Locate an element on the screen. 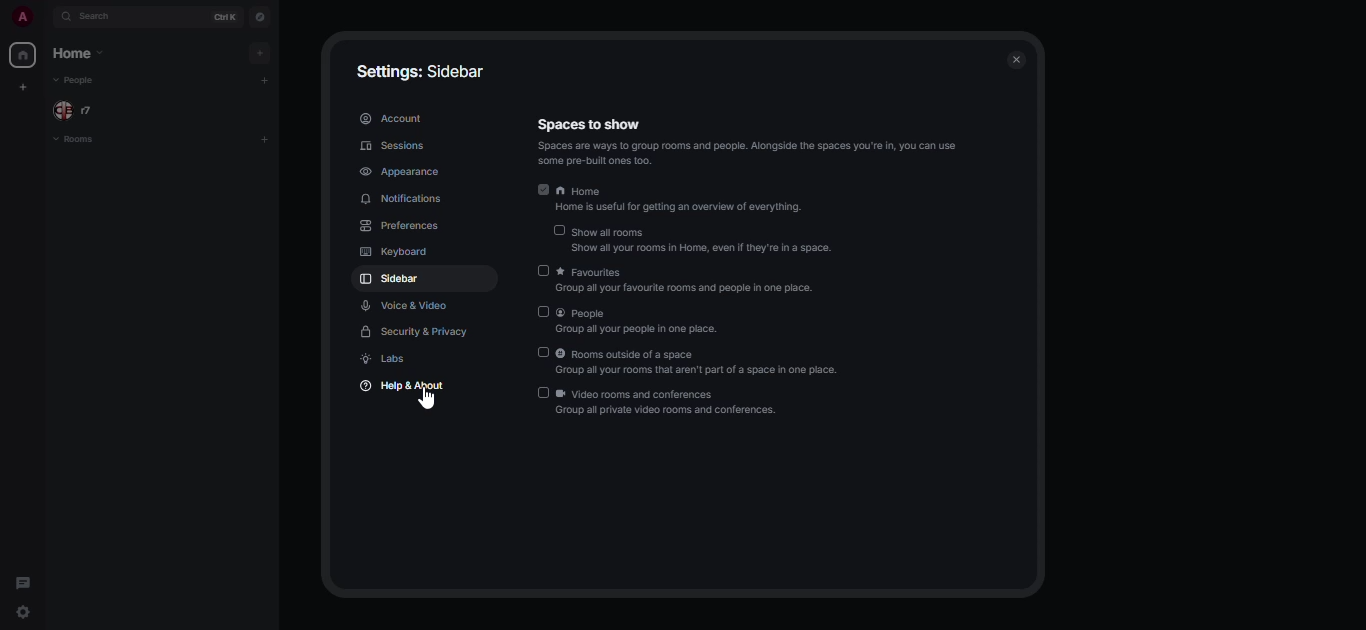 Image resolution: width=1366 pixels, height=630 pixels. Spaces to showSpaces are ways 0 group rooms and pope. Alongside he spaces you're in, you can useprt is located at coordinates (747, 141).